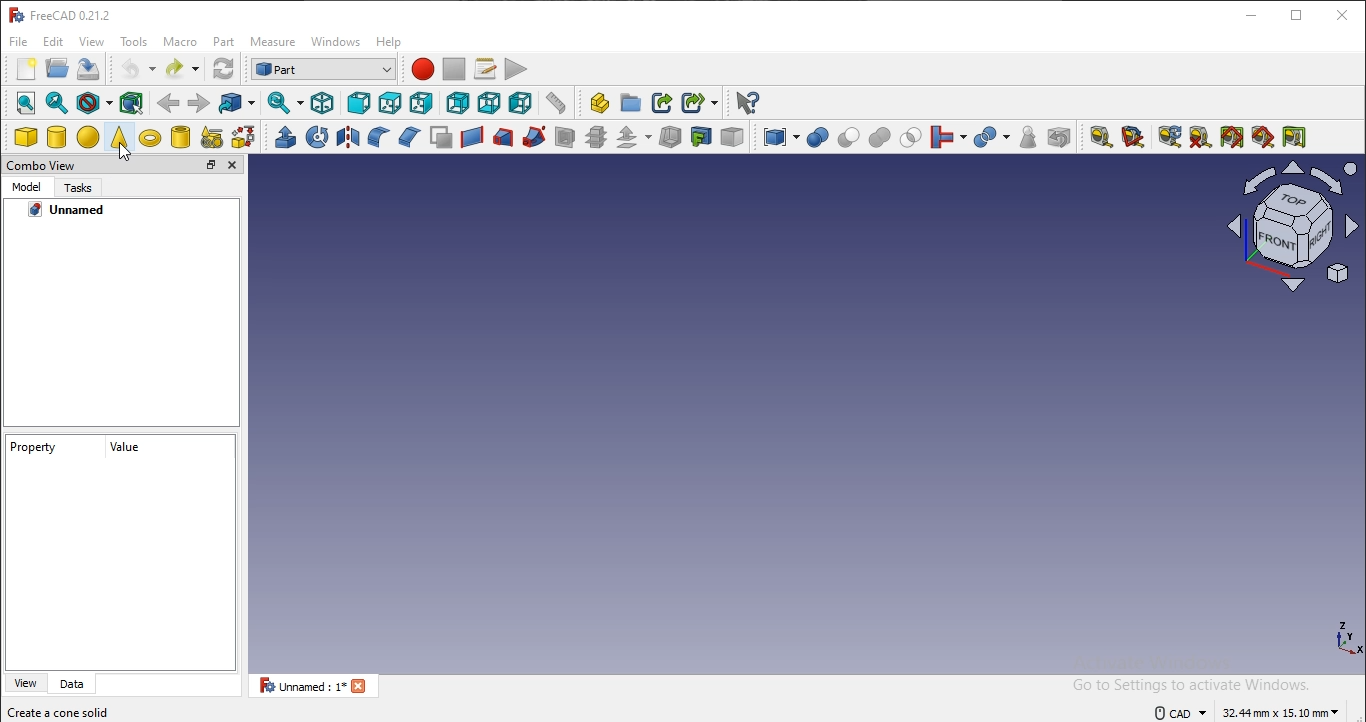 This screenshot has height=722, width=1366. I want to click on toggle delta, so click(1297, 137).